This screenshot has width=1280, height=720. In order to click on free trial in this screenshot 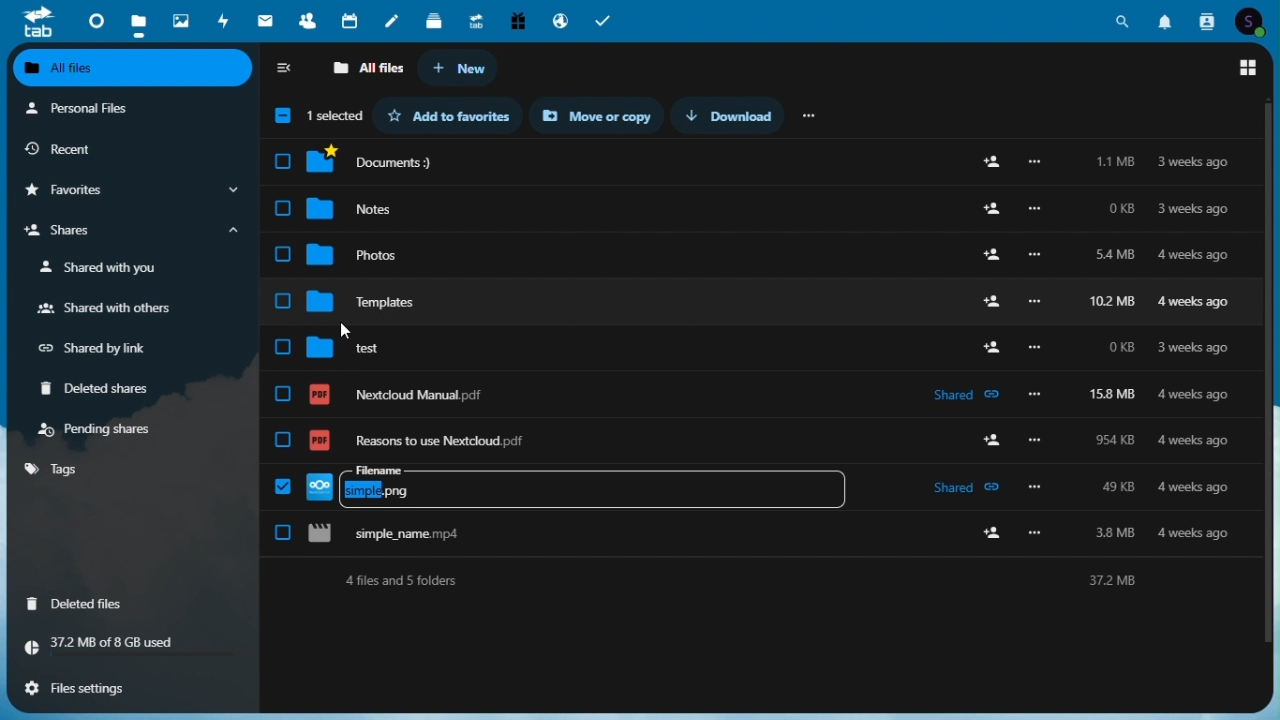, I will do `click(516, 19)`.